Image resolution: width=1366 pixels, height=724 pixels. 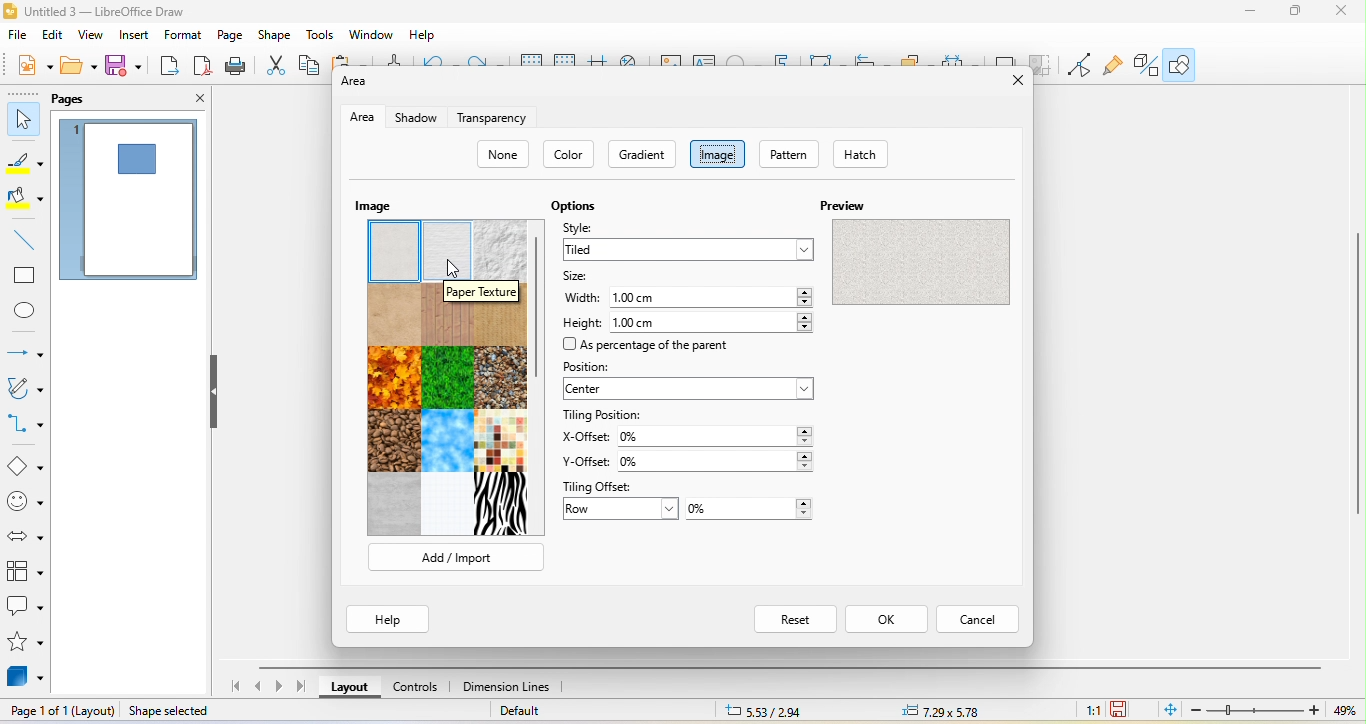 I want to click on zoom and pan, so click(x=632, y=61).